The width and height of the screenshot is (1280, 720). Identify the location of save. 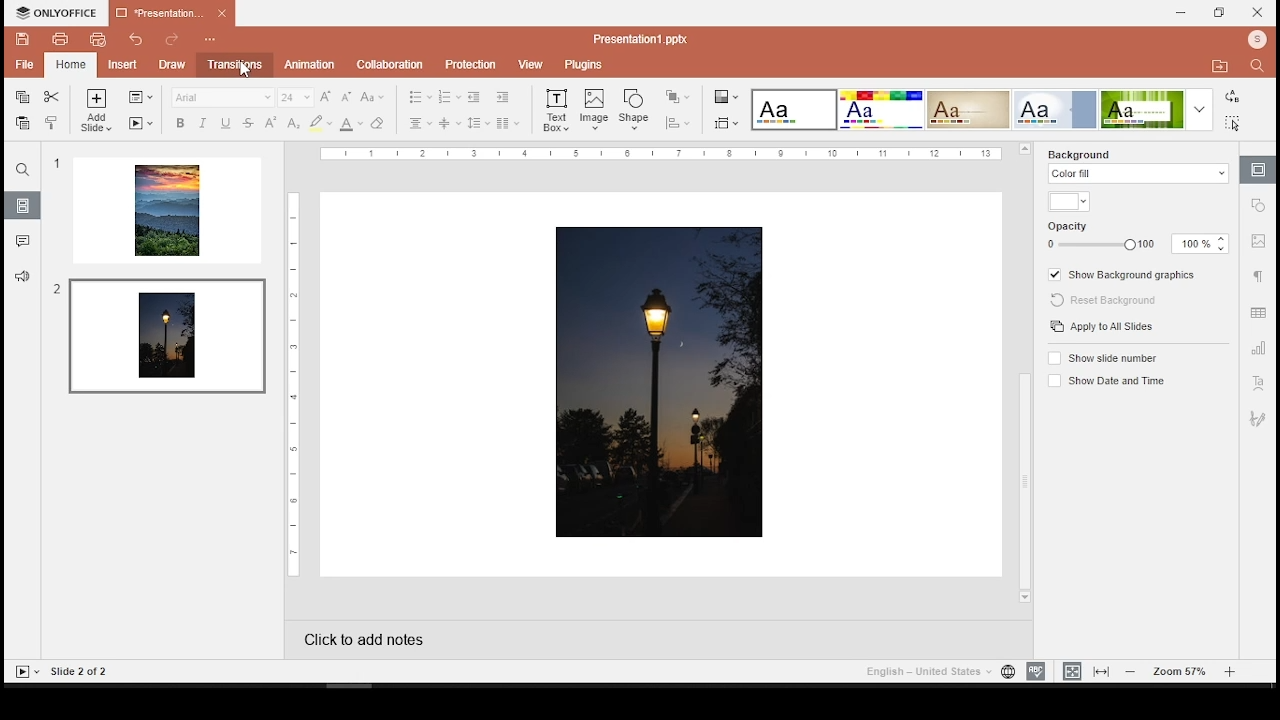
(24, 39).